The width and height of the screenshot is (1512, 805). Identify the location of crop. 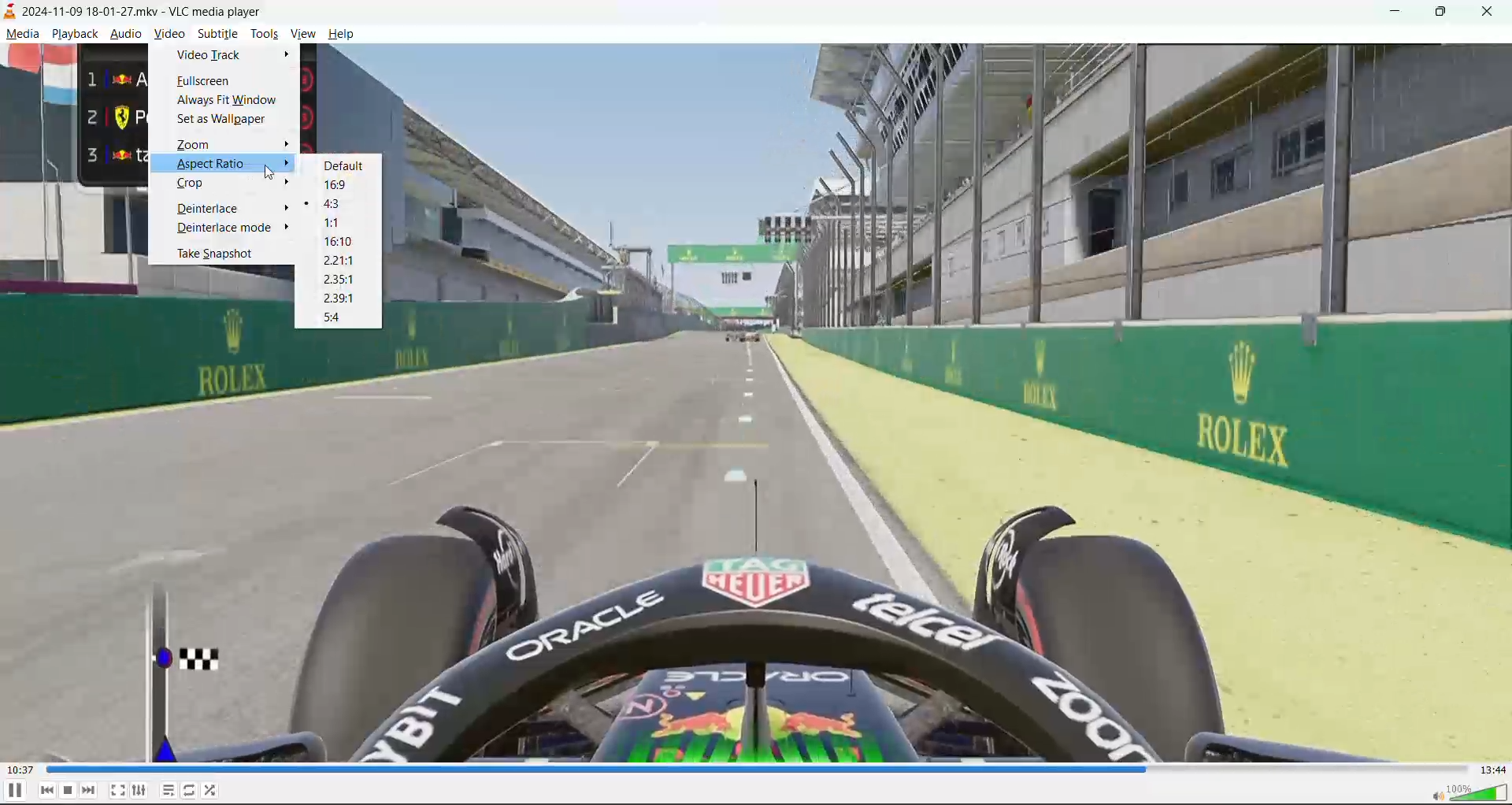
(194, 184).